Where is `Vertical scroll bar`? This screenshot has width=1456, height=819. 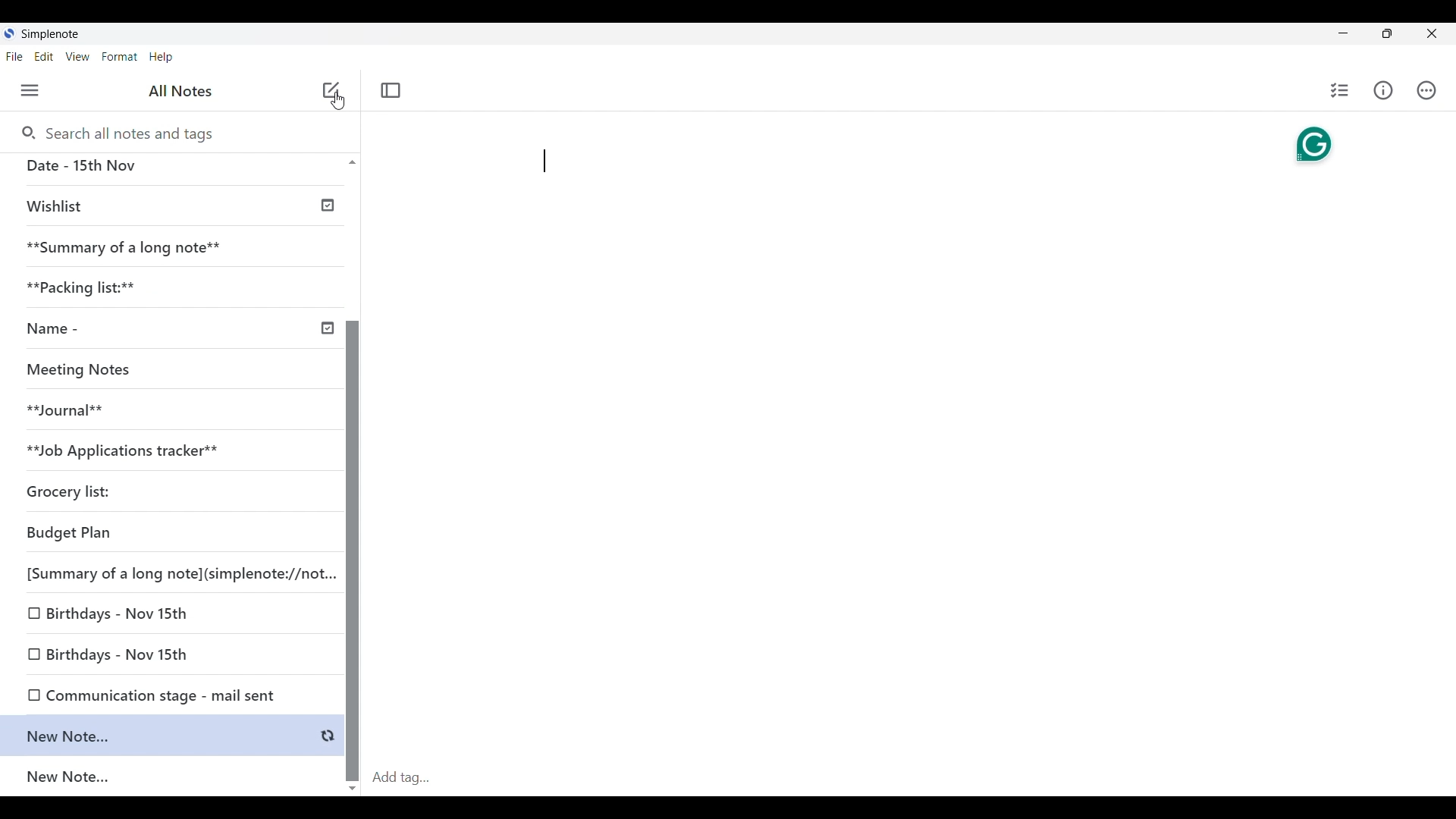
Vertical scroll bar is located at coordinates (352, 473).